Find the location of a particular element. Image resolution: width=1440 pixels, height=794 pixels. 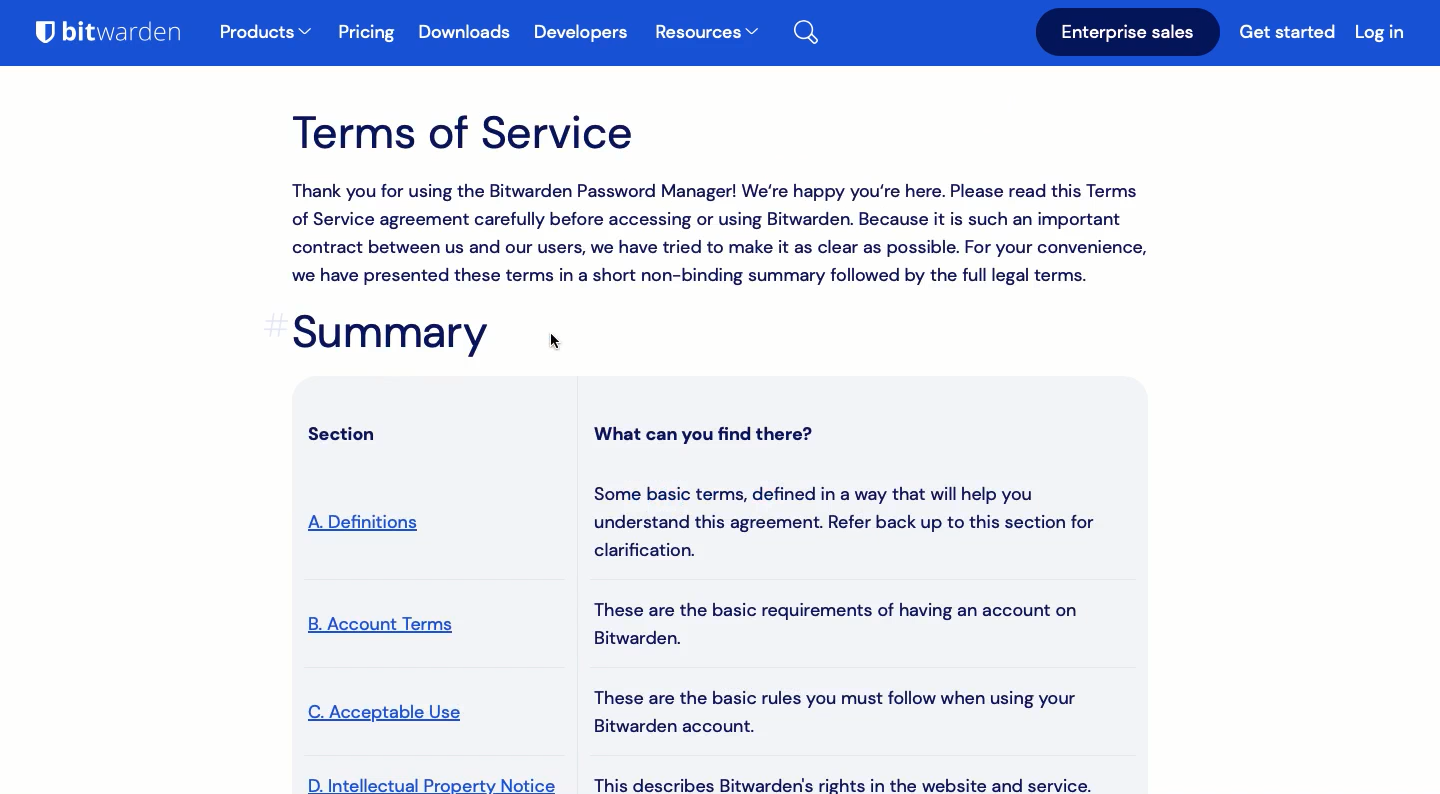

Terms of Service

Thank you for using the Bitwarden Password Manager! We're happy you're here. Please read this Terms
of Service agreement carefully before accessing or using Bitwarden. Because it is such an important
contract between us and our users, we have tried to make it as clear as possible. For your convenience,
we have presented these terms in a short non-binding summary followed by the full legal terms. is located at coordinates (723, 198).